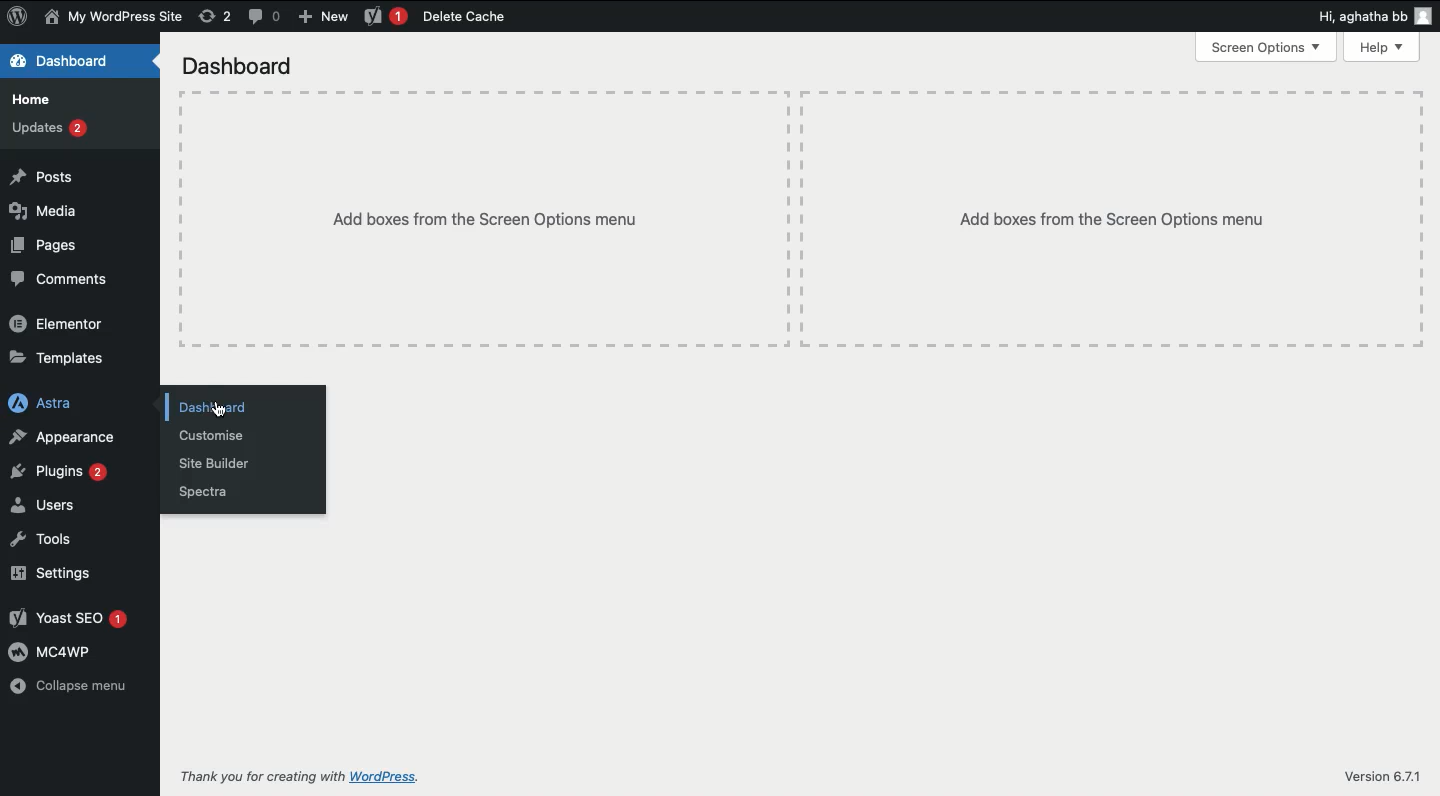  I want to click on Home, so click(31, 100).